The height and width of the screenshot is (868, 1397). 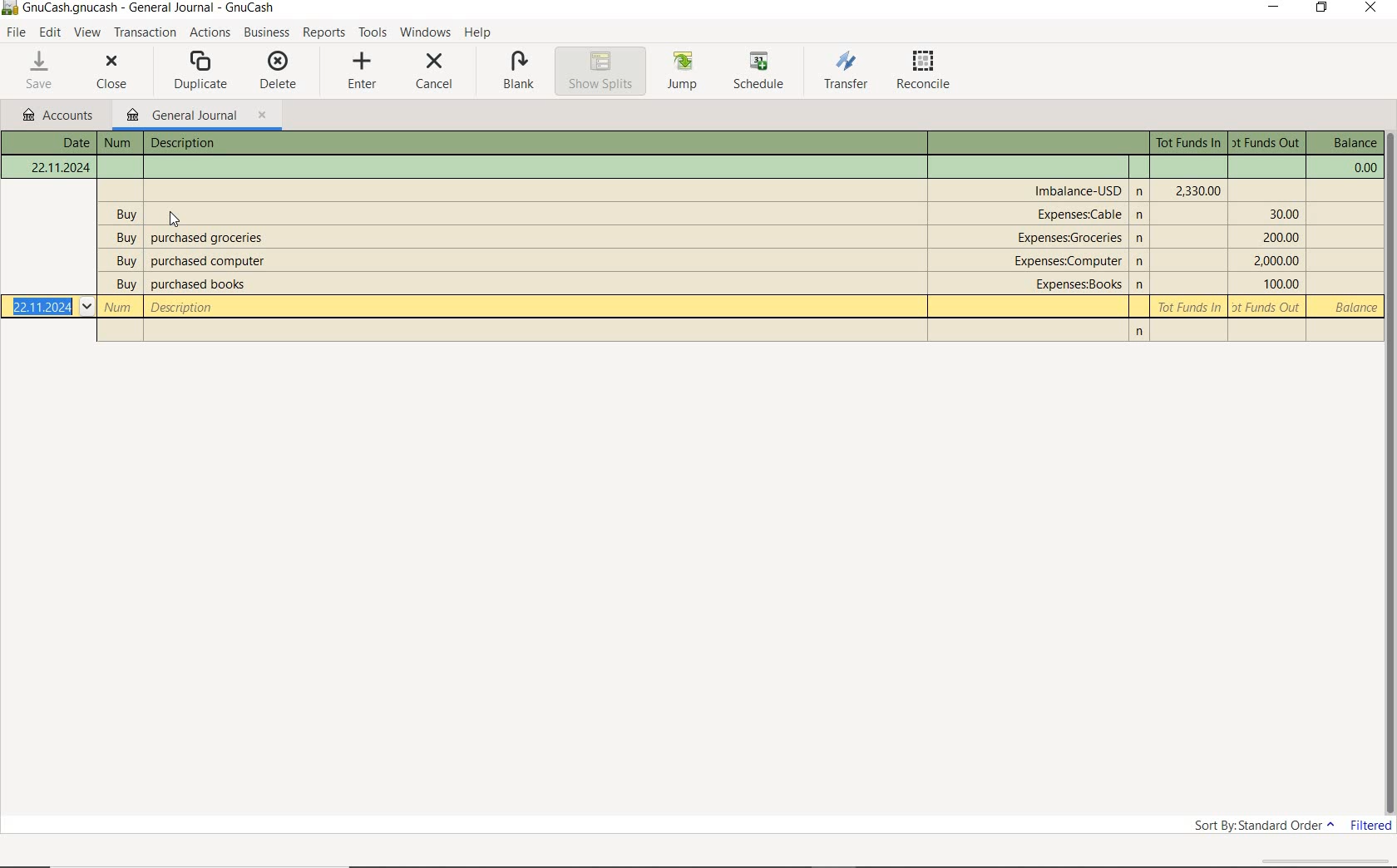 I want to click on RESTORE DOWN, so click(x=1322, y=7).